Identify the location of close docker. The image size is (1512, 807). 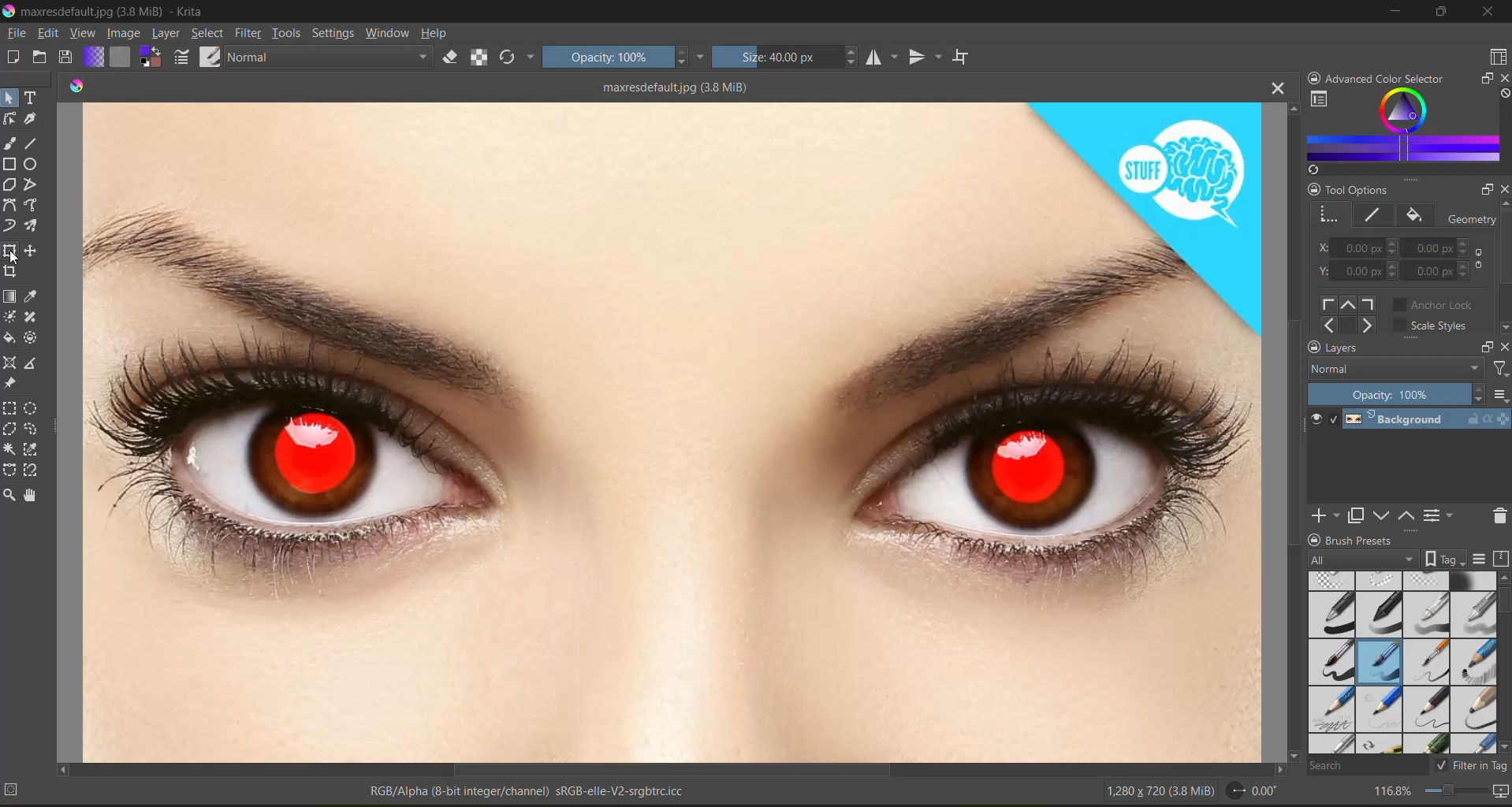
(1499, 189).